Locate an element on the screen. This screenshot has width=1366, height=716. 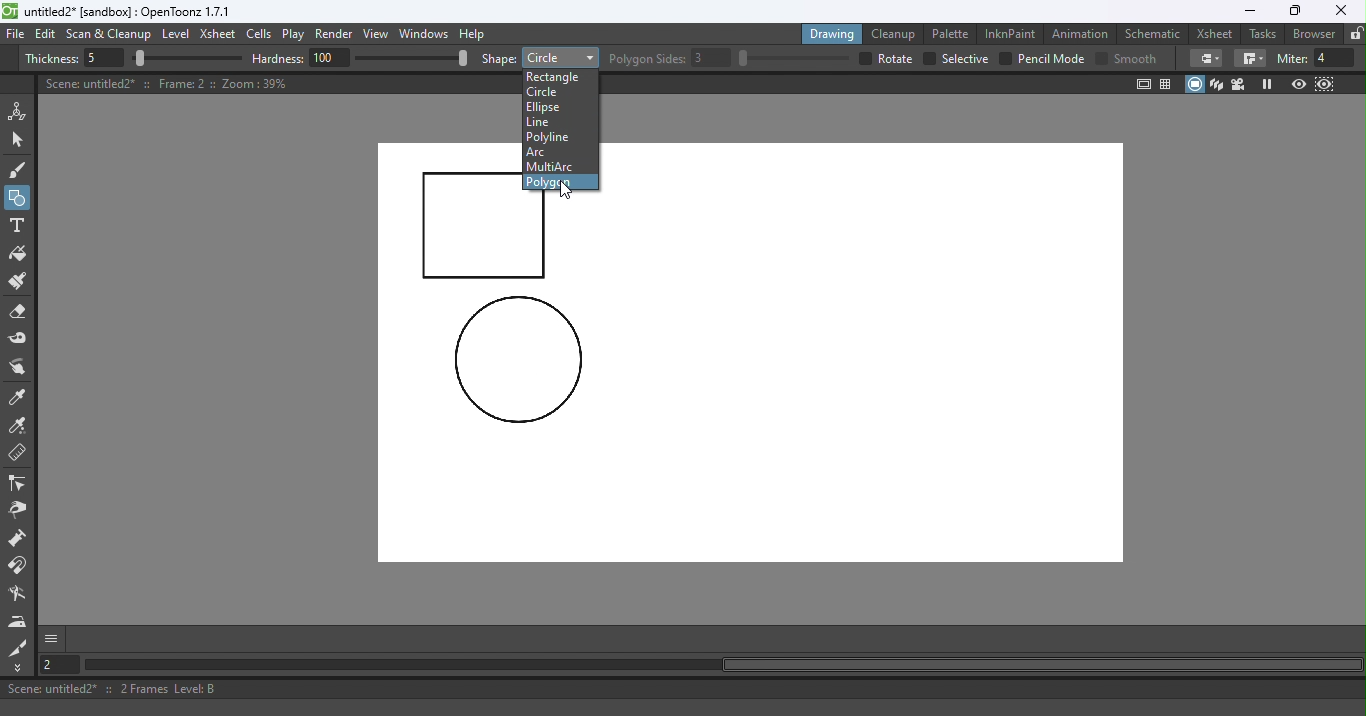
InknPaint is located at coordinates (1011, 32).